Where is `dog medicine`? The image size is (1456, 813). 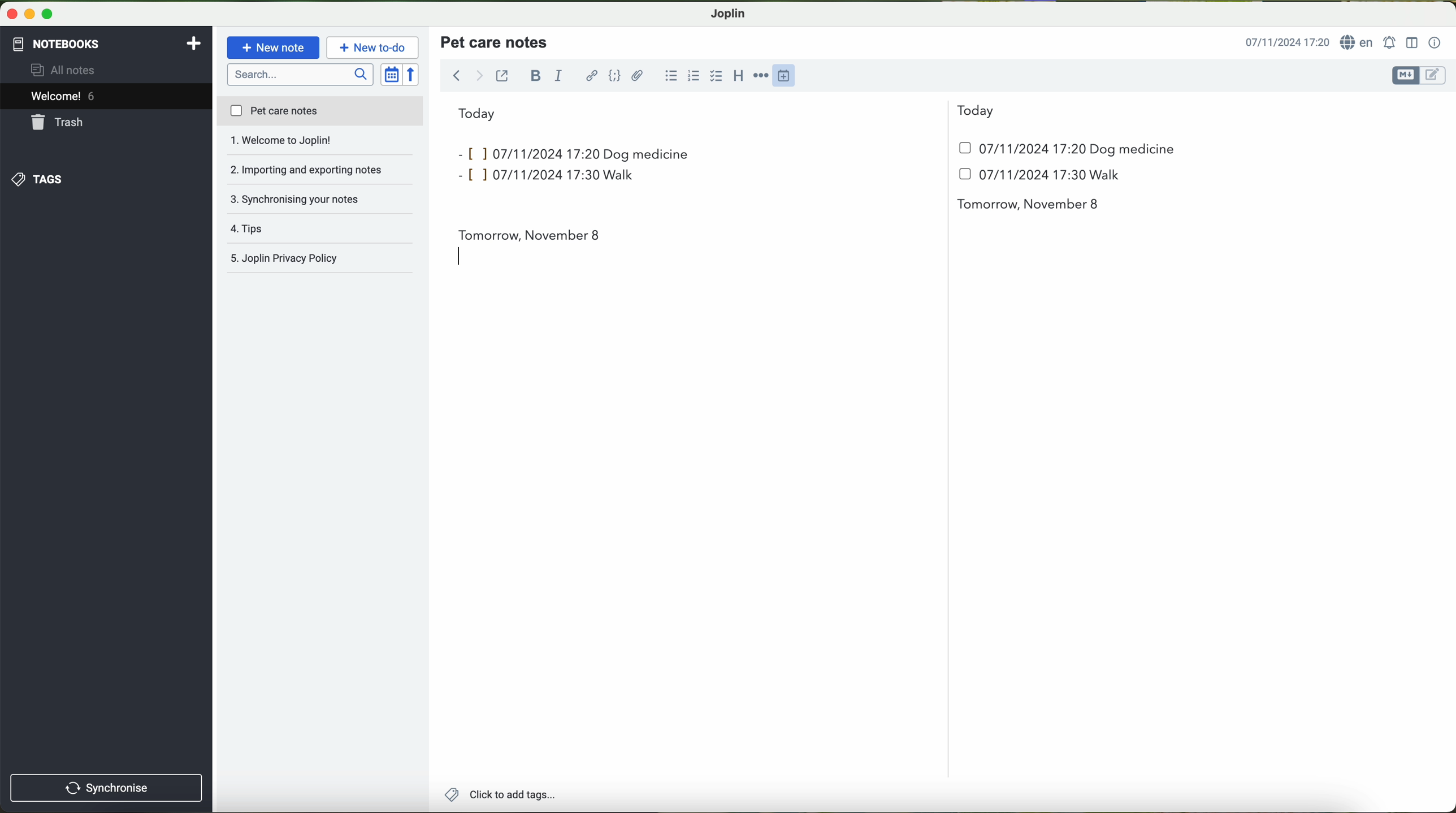
dog medicine is located at coordinates (1133, 150).